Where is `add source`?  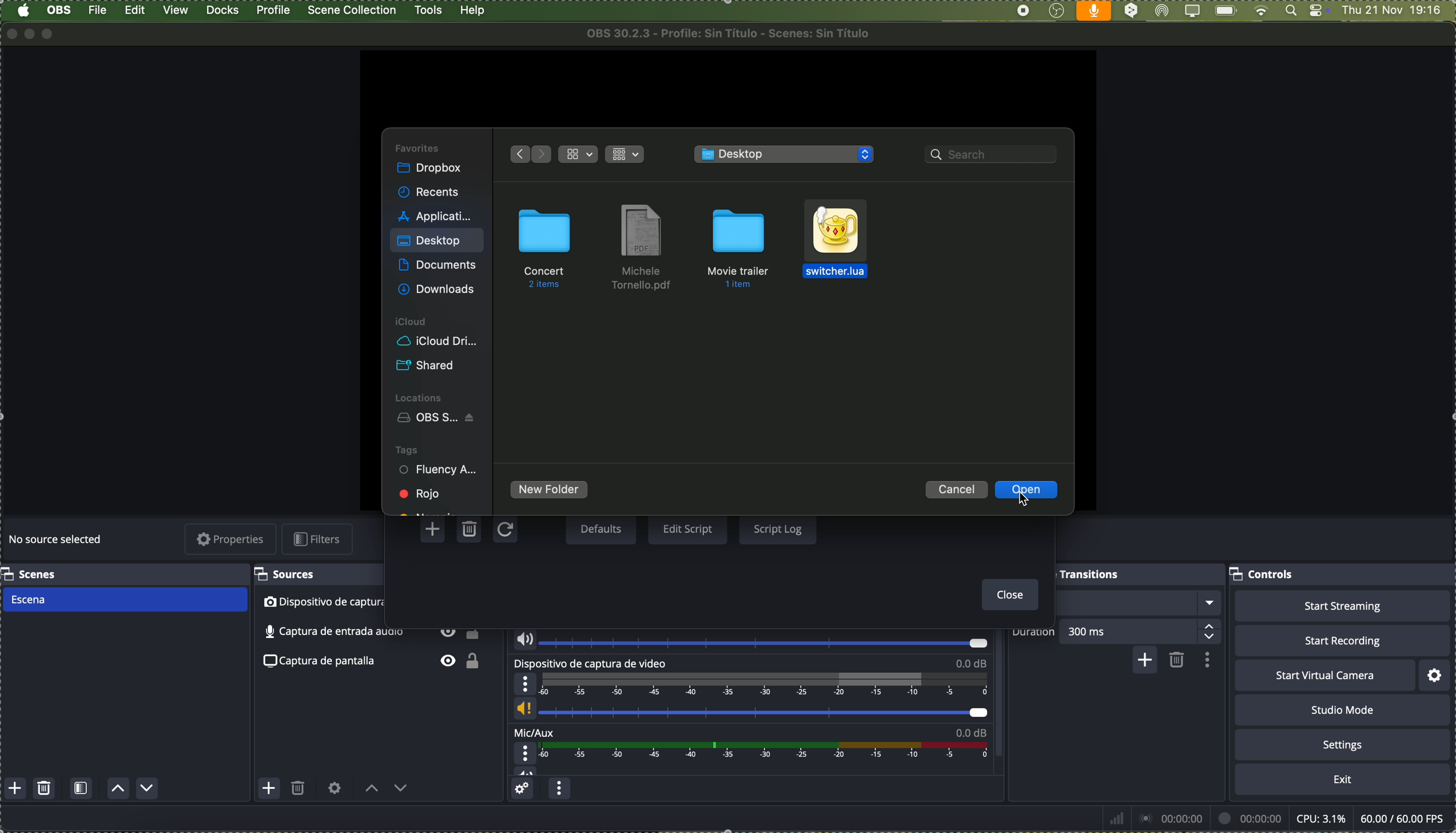
add source is located at coordinates (269, 788).